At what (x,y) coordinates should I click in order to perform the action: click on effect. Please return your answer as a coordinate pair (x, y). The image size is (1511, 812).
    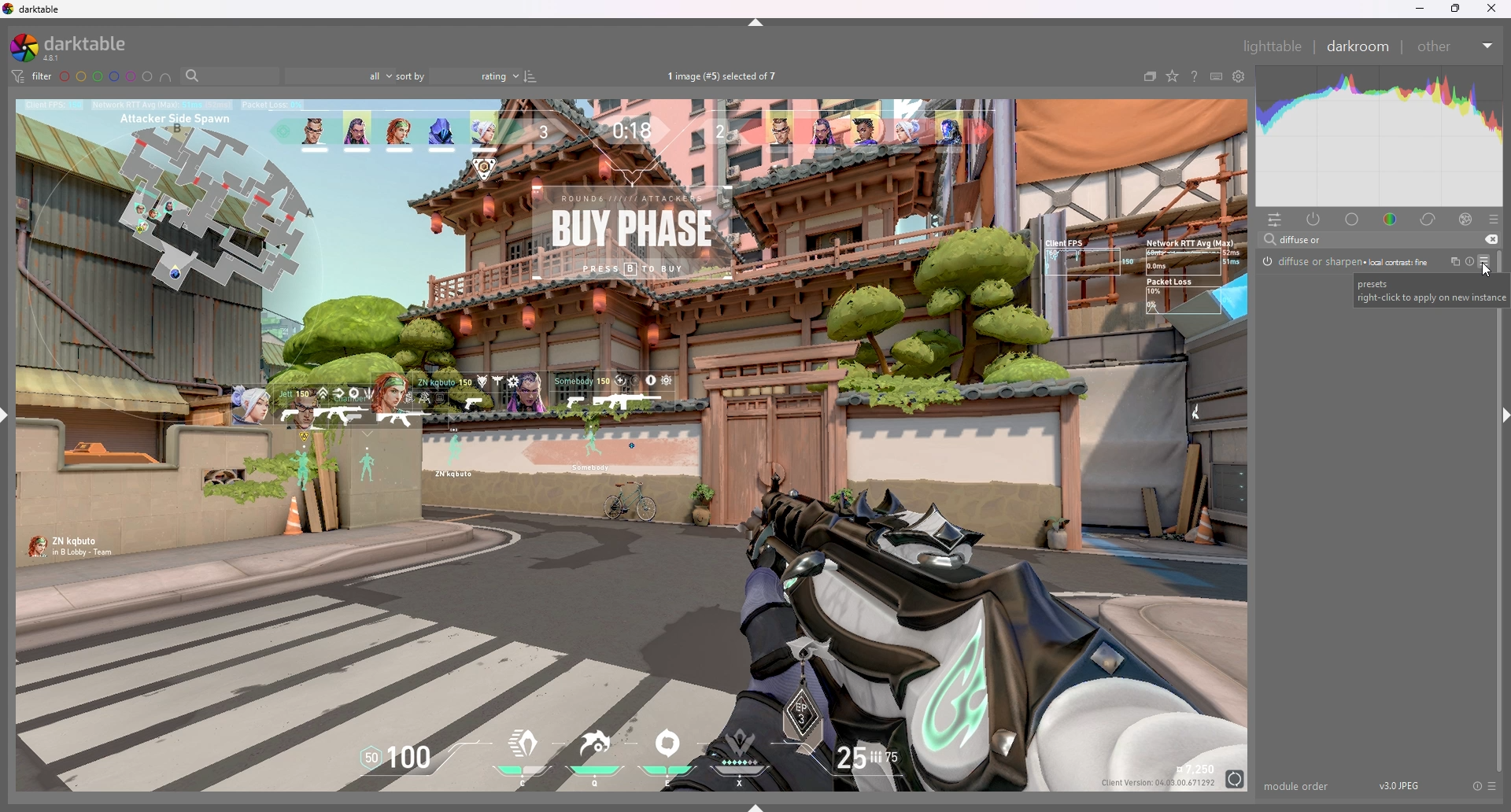
    Looking at the image, I should click on (1466, 219).